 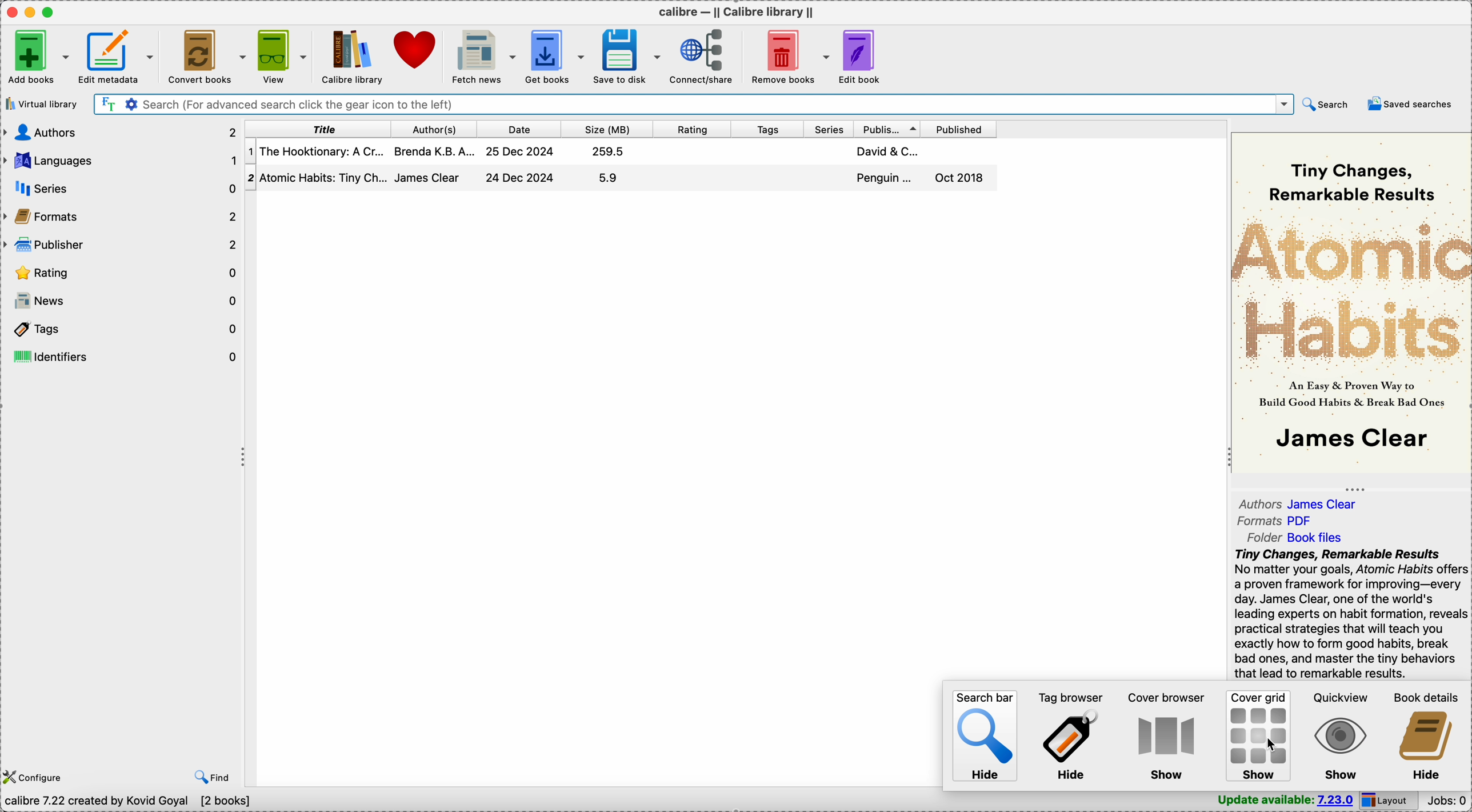 What do you see at coordinates (609, 178) in the screenshot?
I see `5.9` at bounding box center [609, 178].